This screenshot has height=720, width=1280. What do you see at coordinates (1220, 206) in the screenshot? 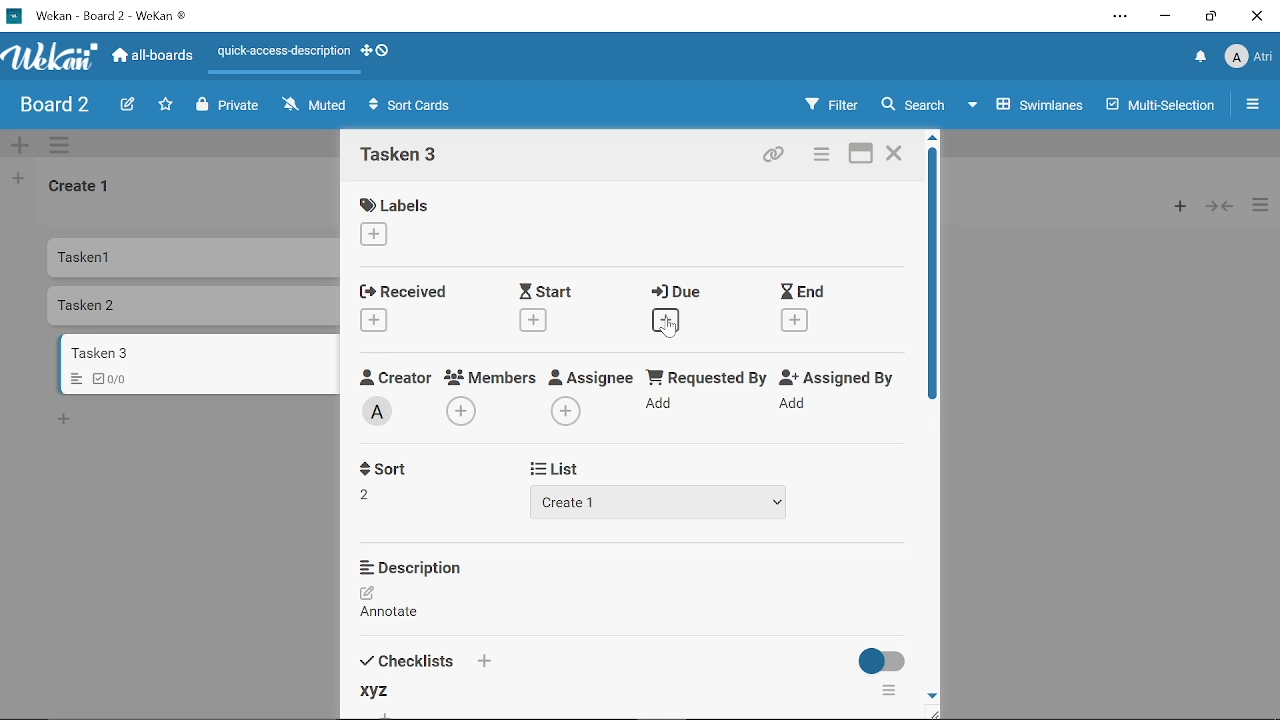
I see `Collapse` at bounding box center [1220, 206].